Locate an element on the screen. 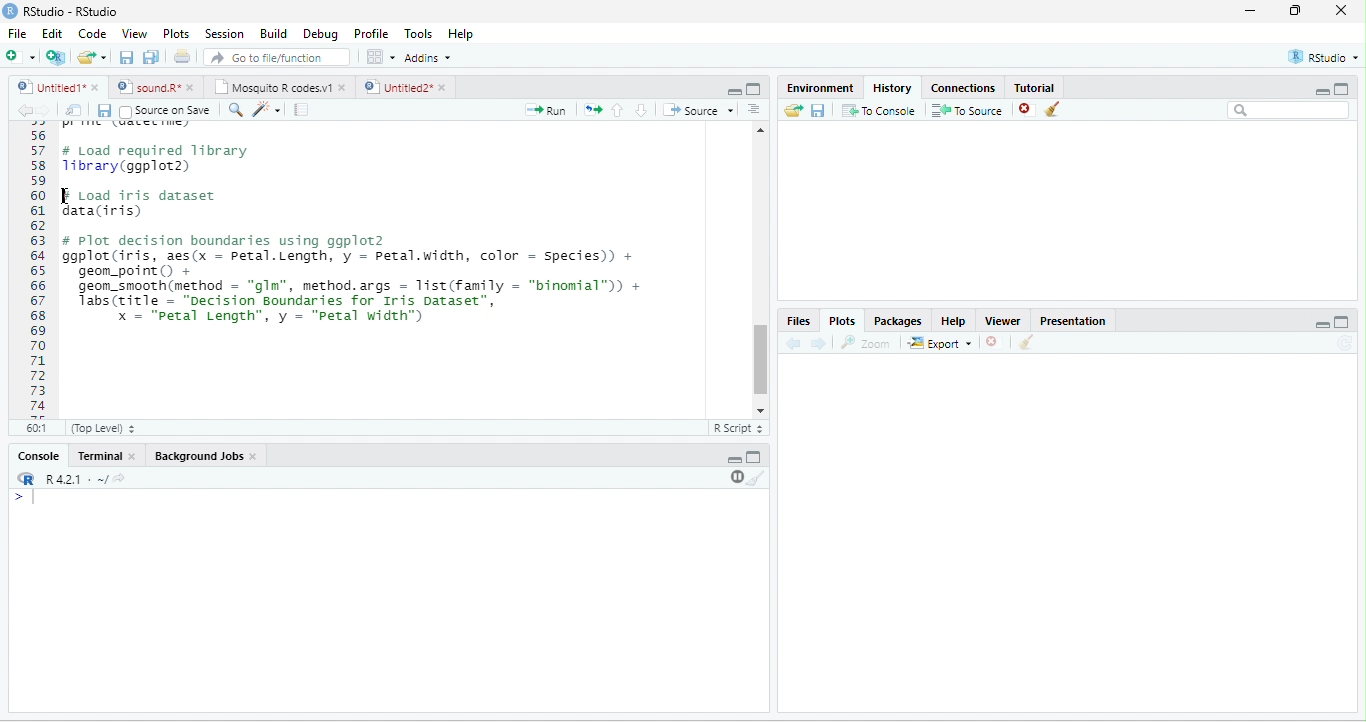 Image resolution: width=1366 pixels, height=722 pixels. scroll up is located at coordinates (761, 130).